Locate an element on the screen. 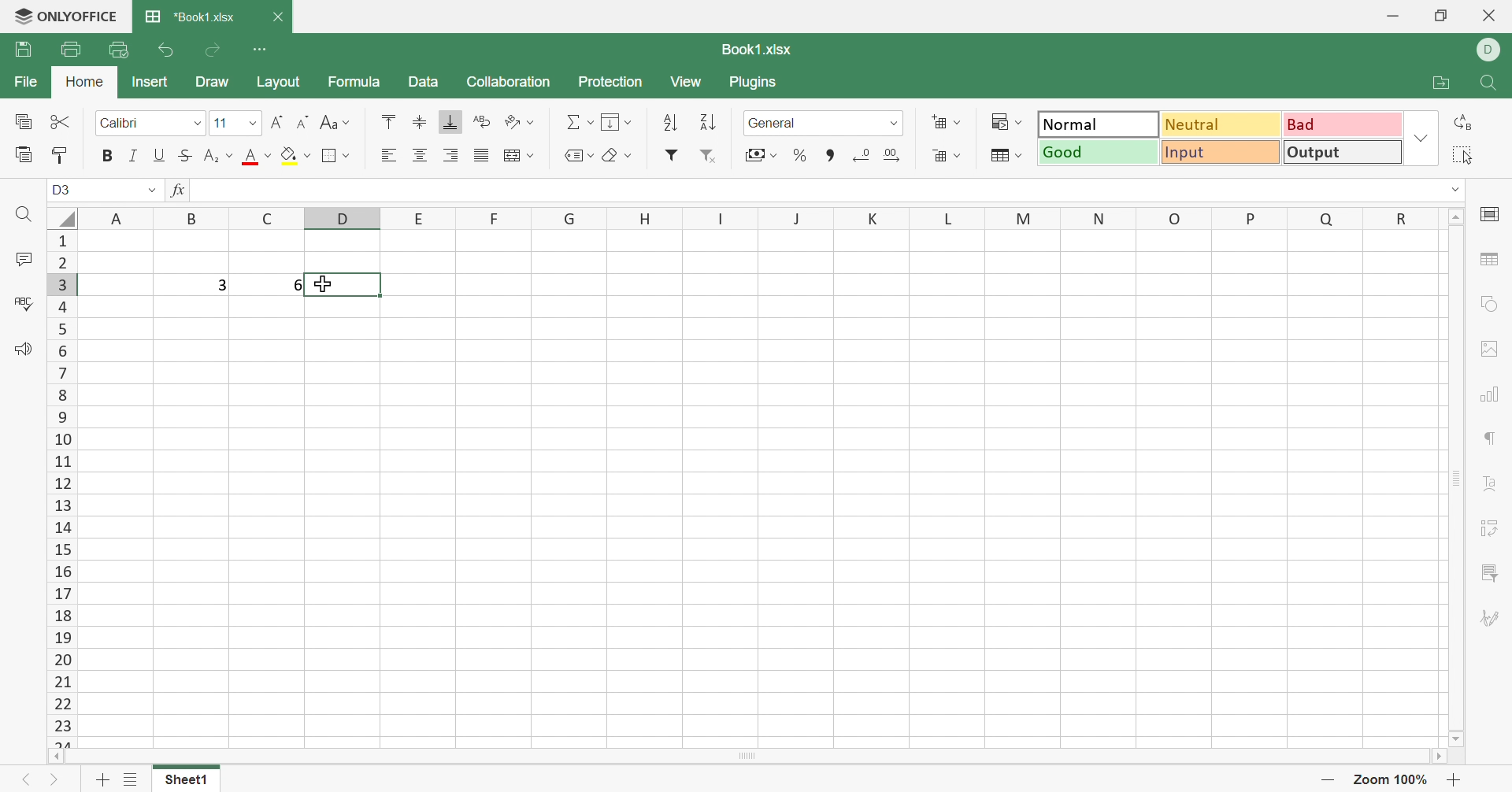 This screenshot has height=792, width=1512. Copy is located at coordinates (23, 120).